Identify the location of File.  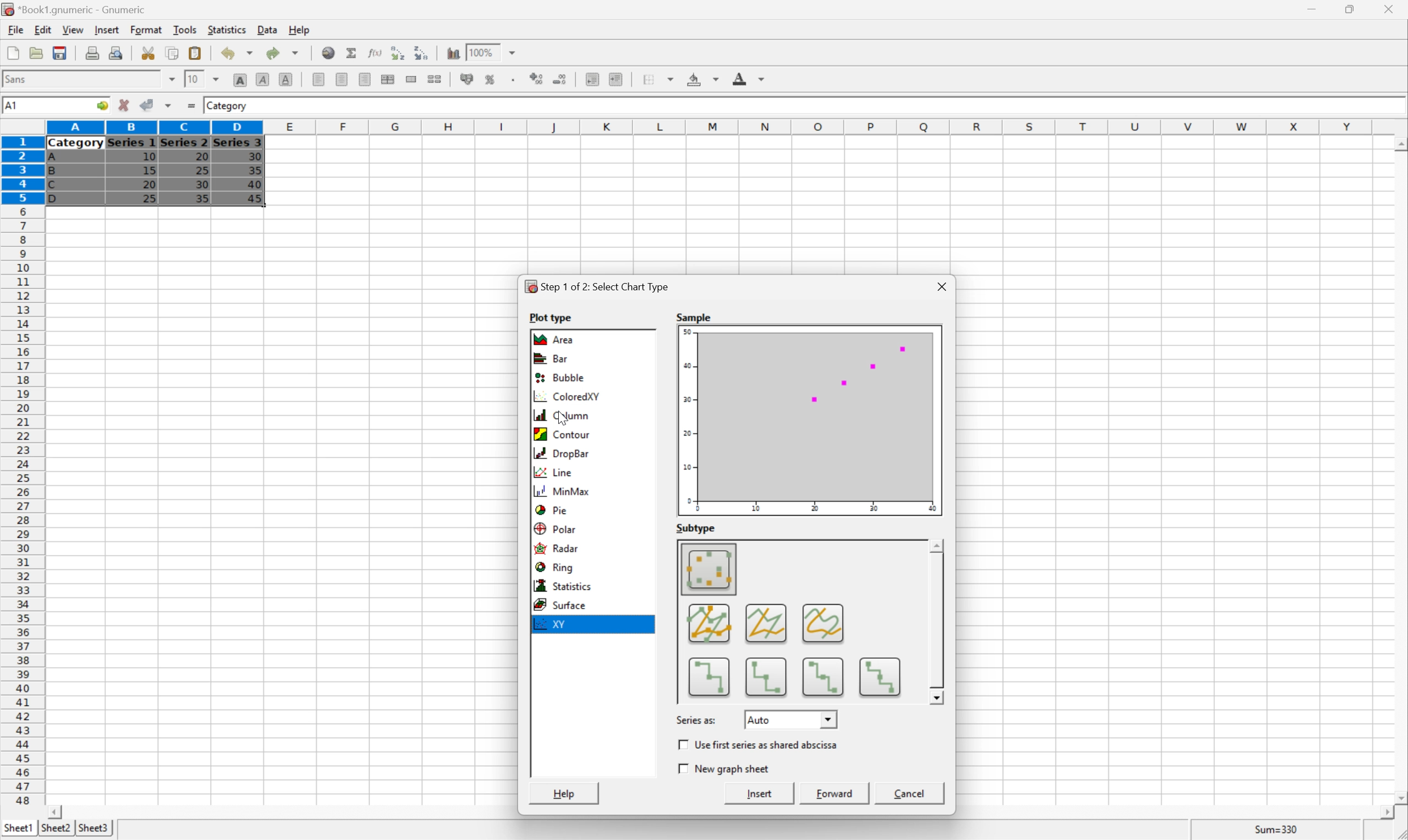
(16, 29).